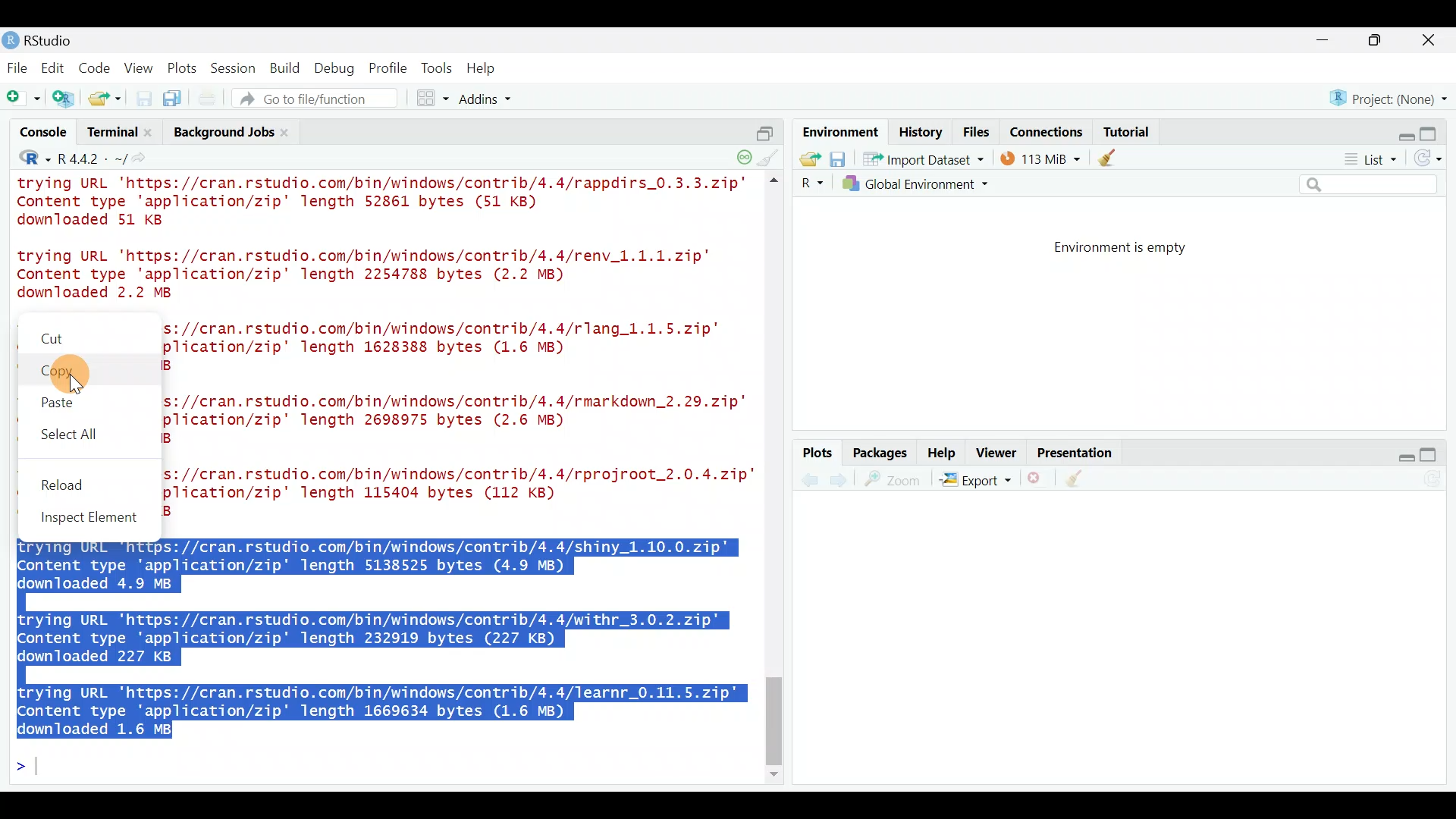  What do you see at coordinates (376, 639) in the screenshot?
I see `trying URL 'https://cran.rstudio.com/bin/windows/contrib/4.4/withr_3.0.2.zip"
Content type 'application/zip' length 232919 bytes (227 KB)
downloaded 227 KB` at bounding box center [376, 639].